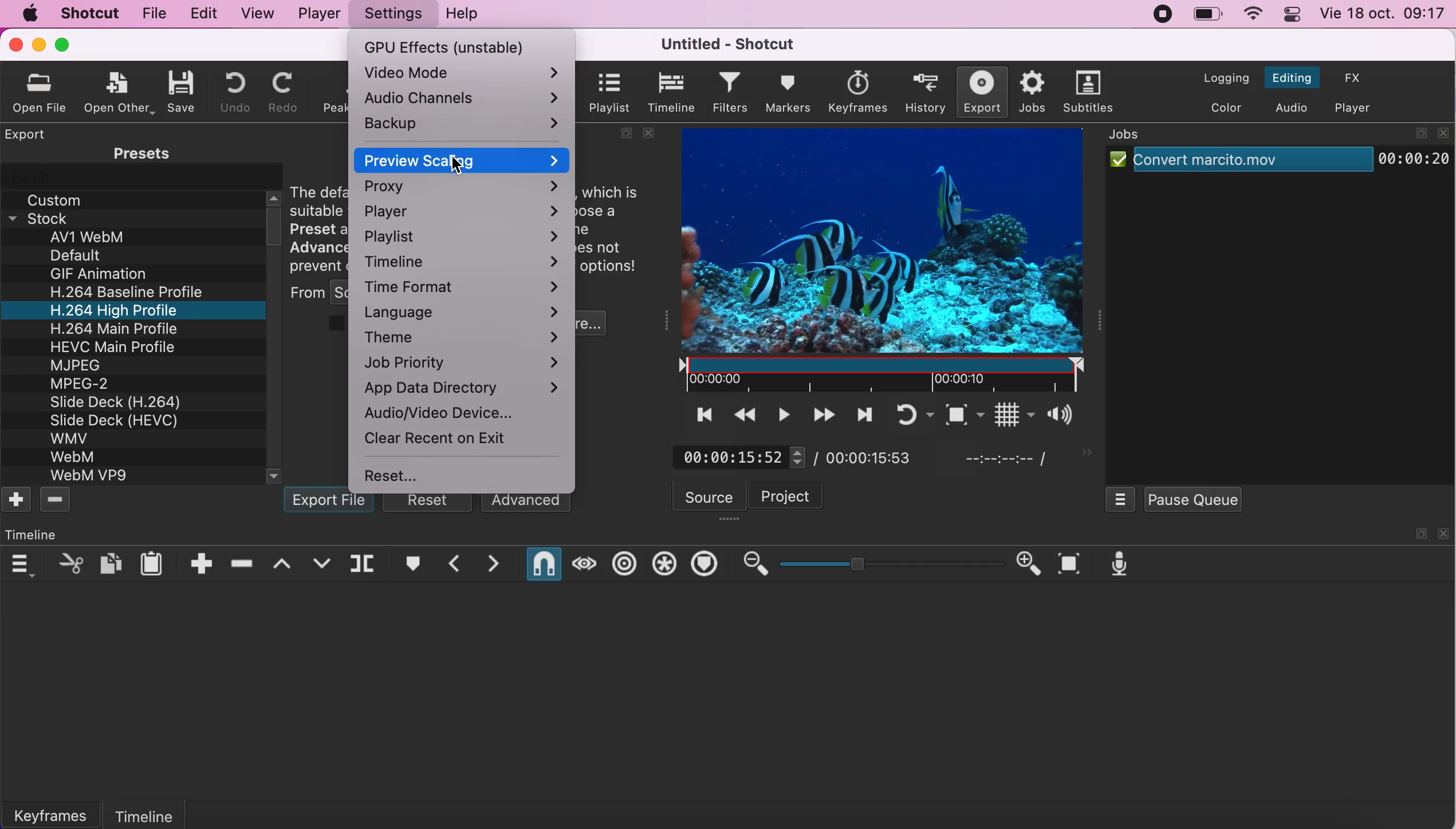 Image resolution: width=1456 pixels, height=829 pixels. What do you see at coordinates (366, 566) in the screenshot?
I see `split at playhead` at bounding box center [366, 566].